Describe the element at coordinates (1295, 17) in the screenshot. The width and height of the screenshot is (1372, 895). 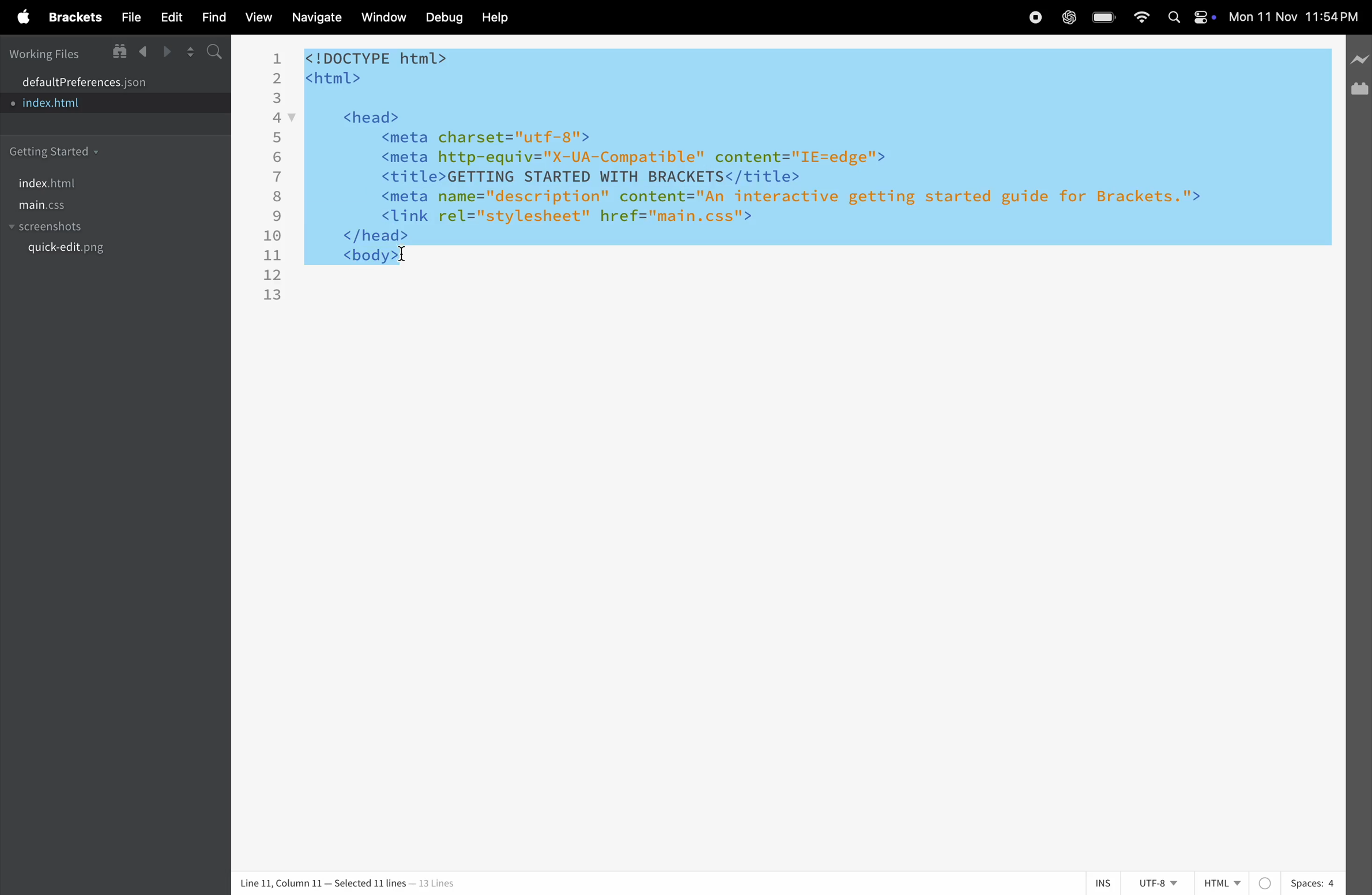
I see `time and date` at that location.